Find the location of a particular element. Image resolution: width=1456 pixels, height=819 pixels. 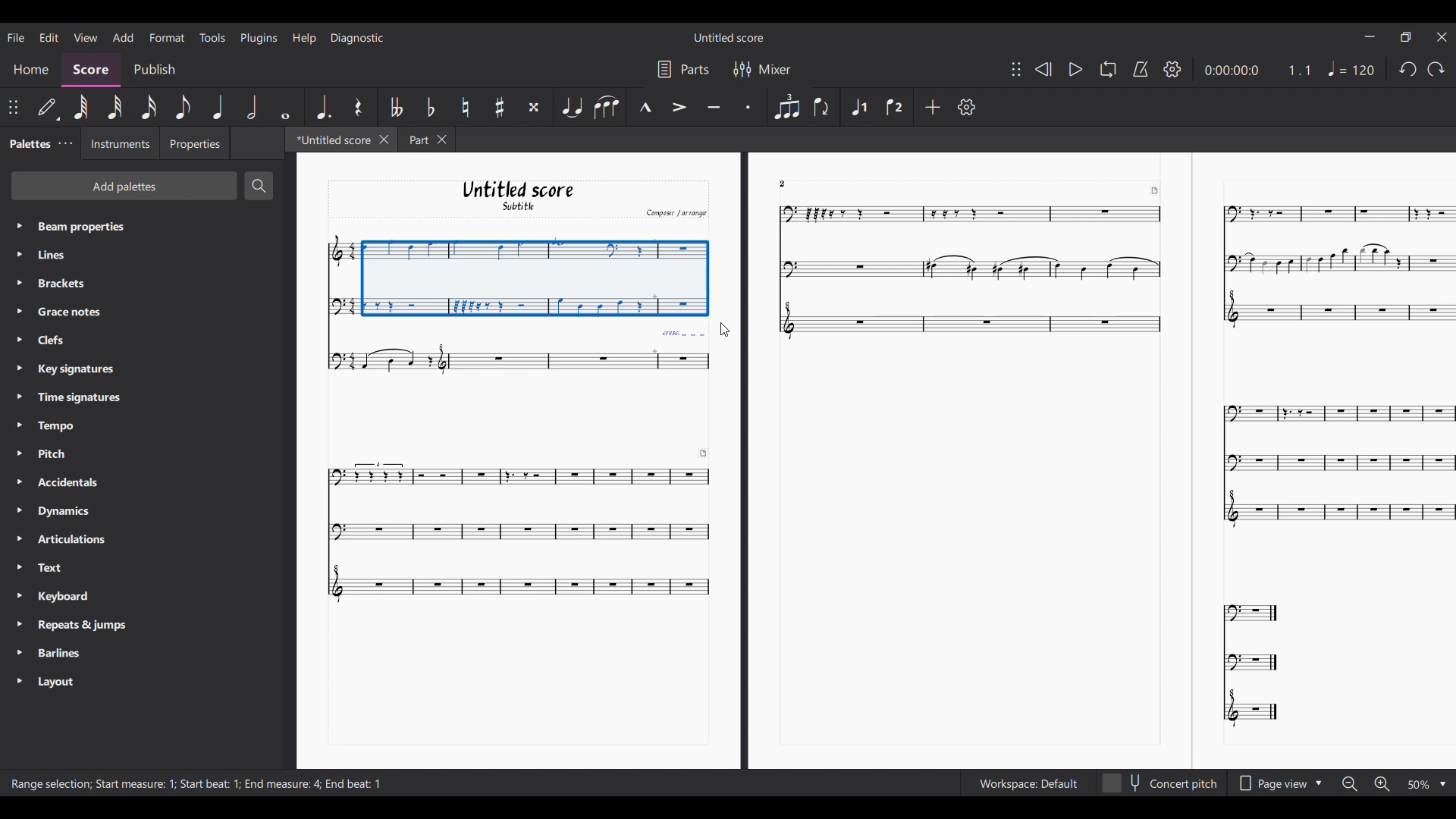

Toggle double sharp is located at coordinates (533, 106).